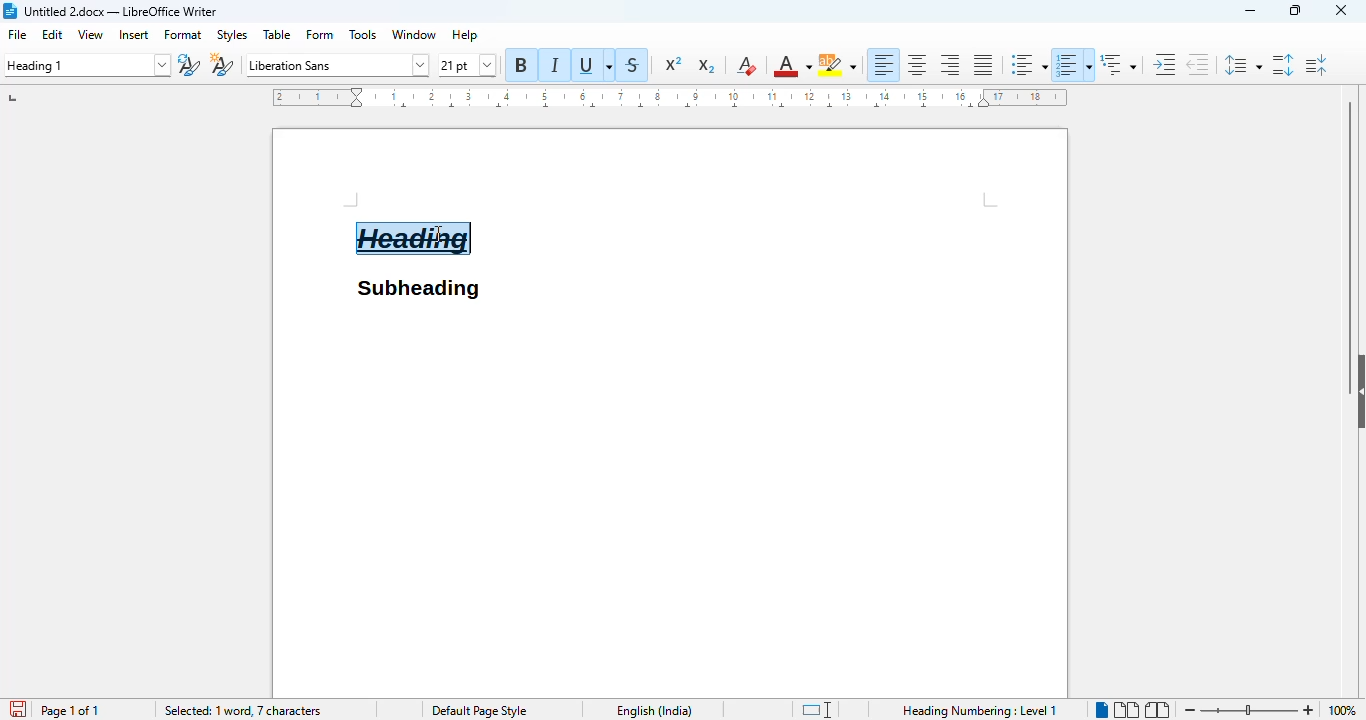 Image resolution: width=1366 pixels, height=720 pixels. Describe the element at coordinates (837, 65) in the screenshot. I see `character highlighting color` at that location.